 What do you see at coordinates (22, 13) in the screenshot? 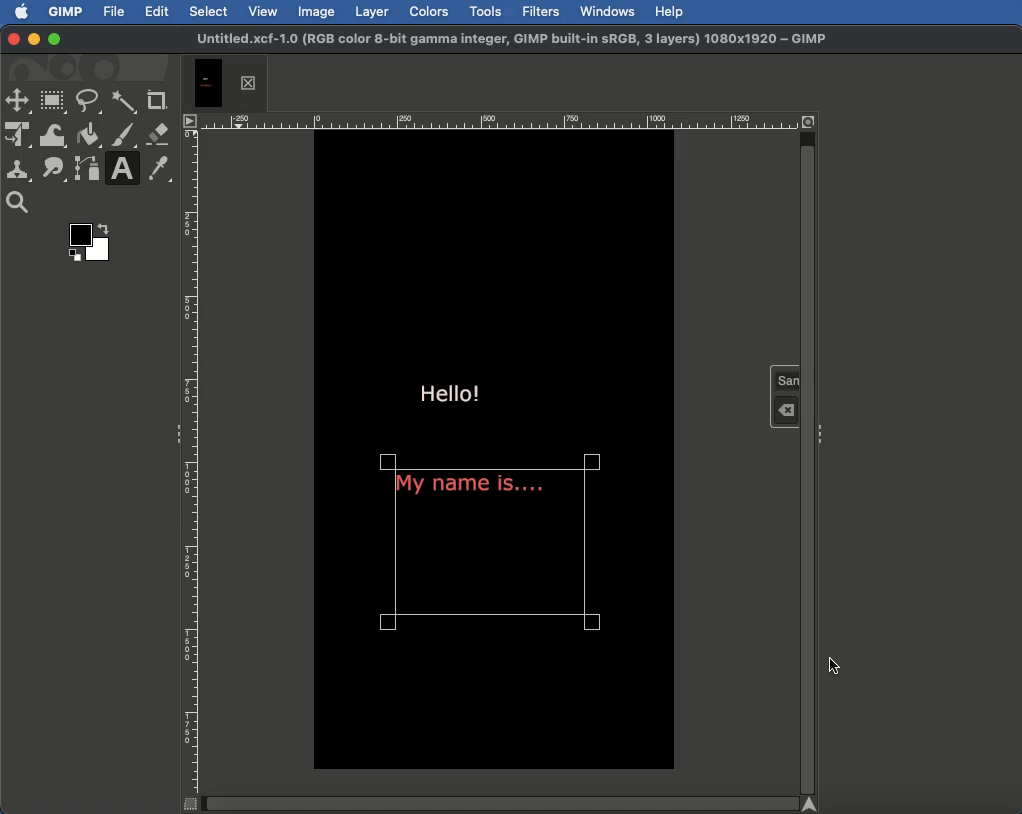
I see `Apple logo` at bounding box center [22, 13].